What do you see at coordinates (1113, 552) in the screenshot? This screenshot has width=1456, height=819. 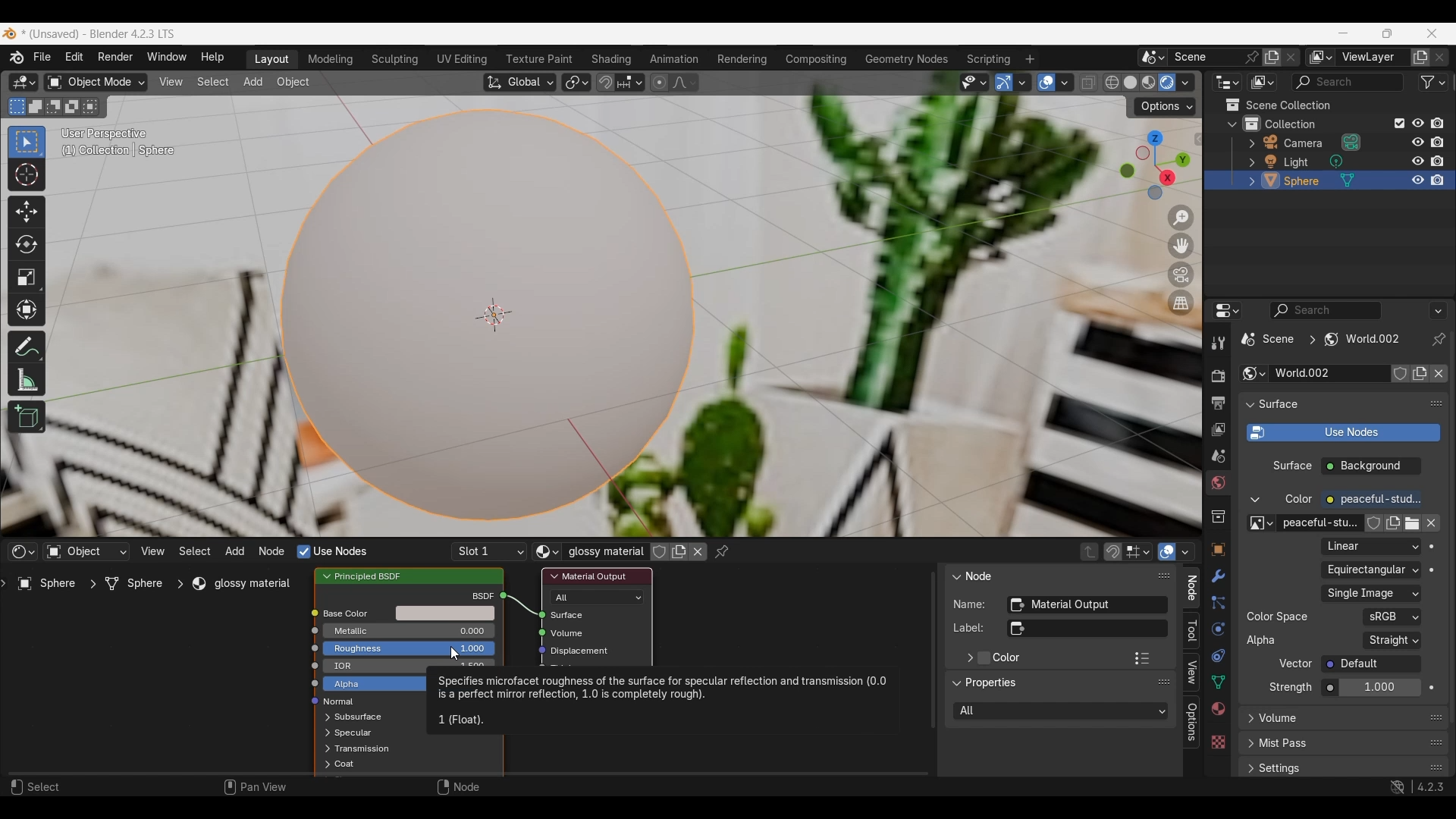 I see `Snap node during transform` at bounding box center [1113, 552].